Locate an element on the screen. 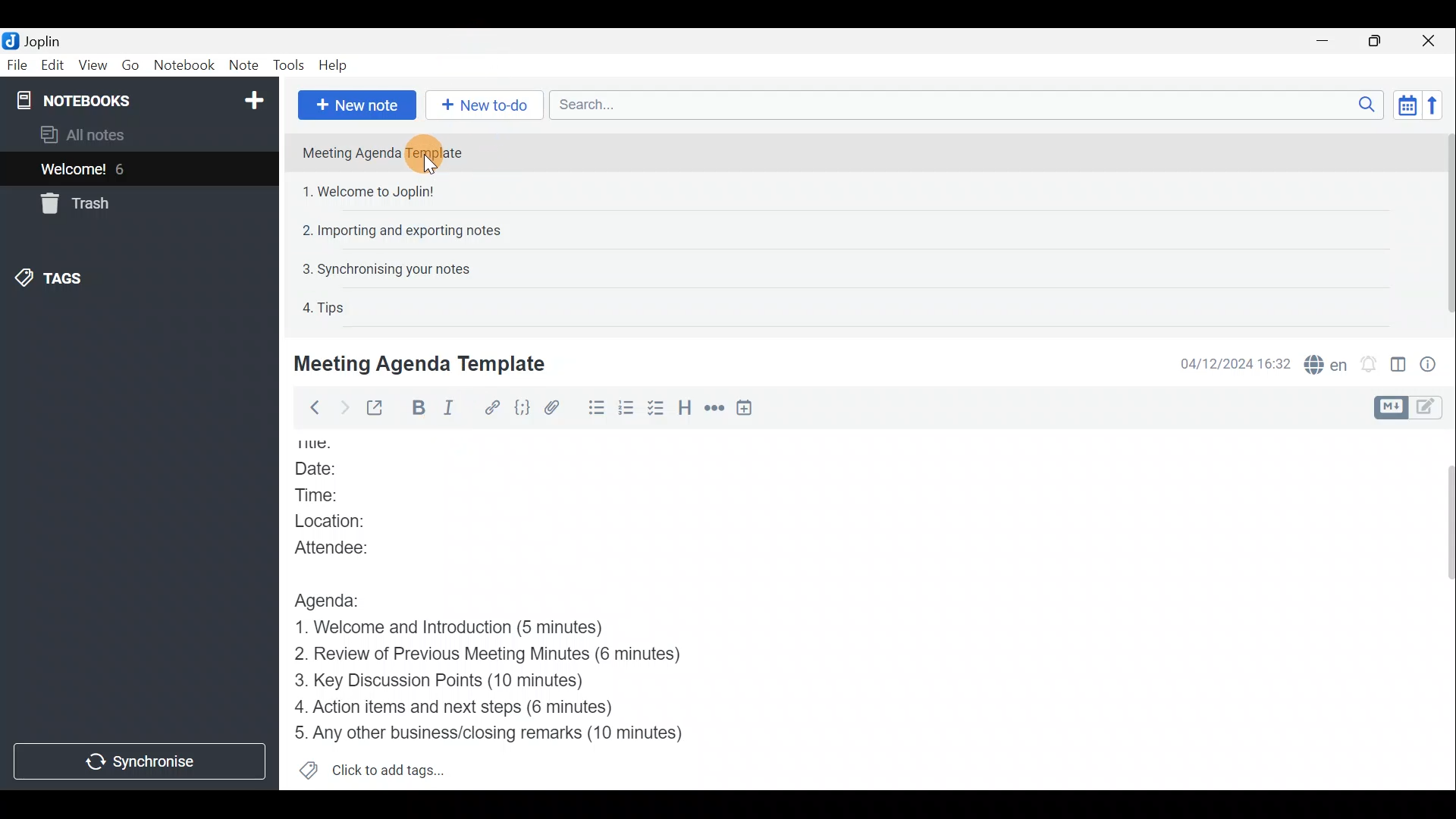 The height and width of the screenshot is (819, 1456). Minimise is located at coordinates (1325, 40).